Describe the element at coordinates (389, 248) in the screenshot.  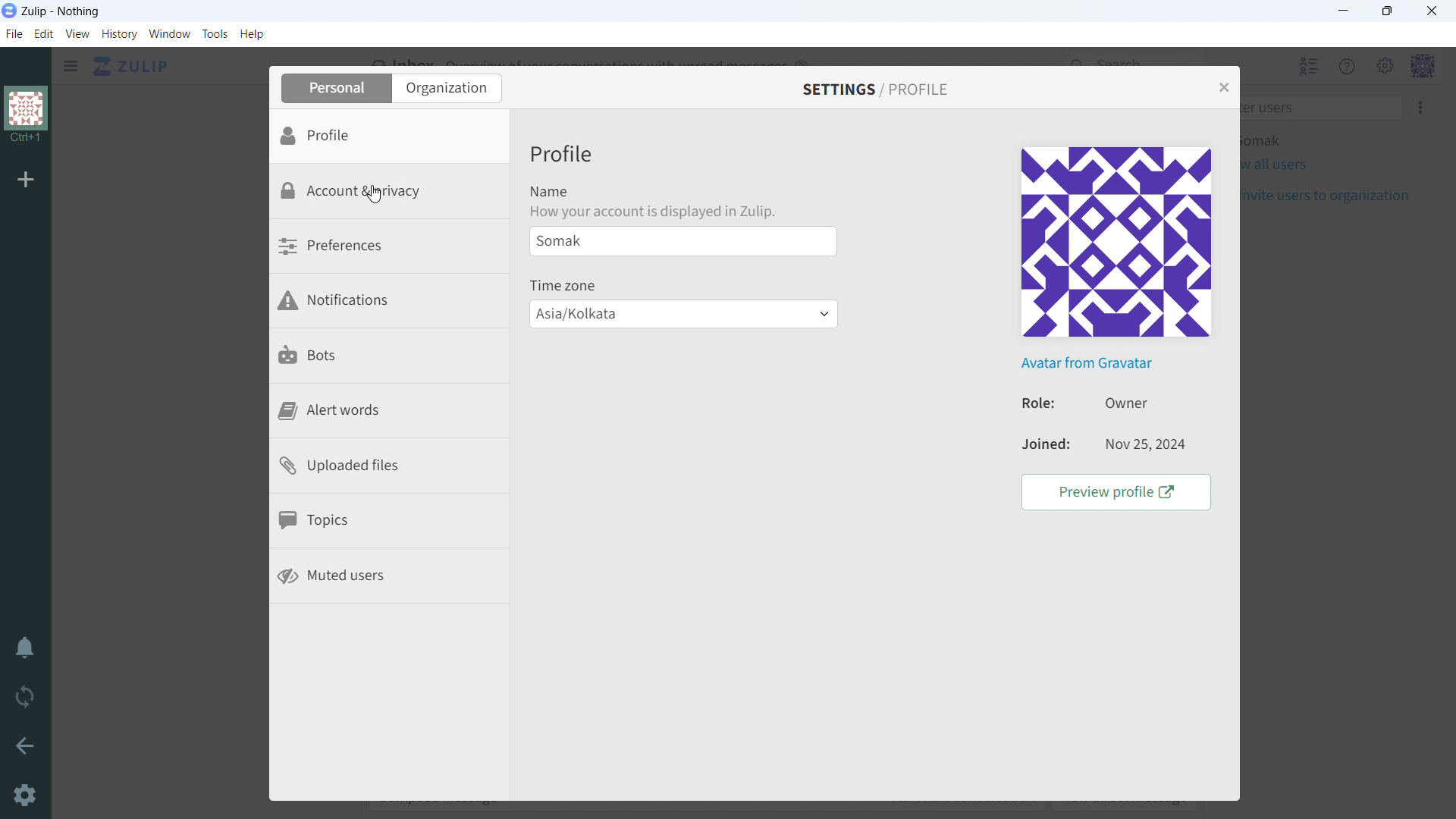
I see `preferences` at that location.